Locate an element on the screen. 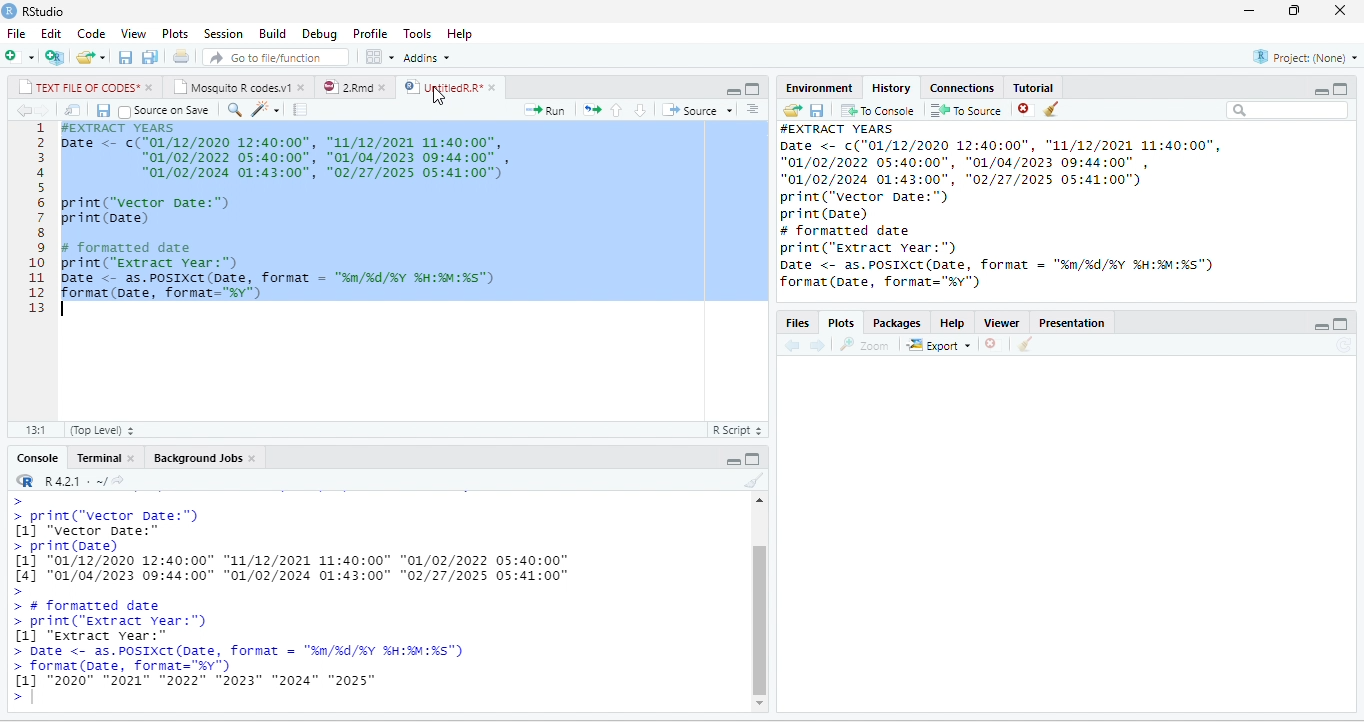 The width and height of the screenshot is (1364, 722). new project is located at coordinates (55, 57).